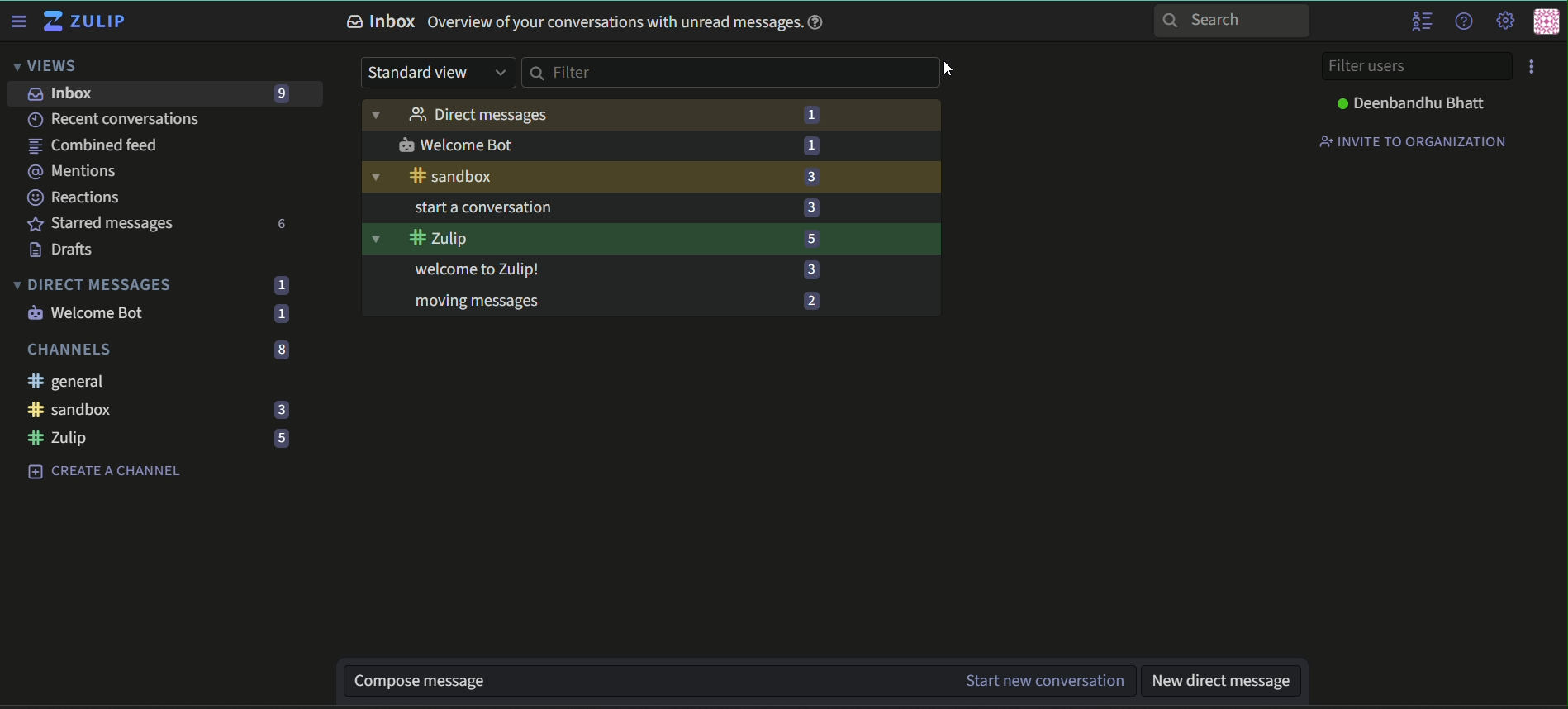  I want to click on Standard view, so click(436, 74).